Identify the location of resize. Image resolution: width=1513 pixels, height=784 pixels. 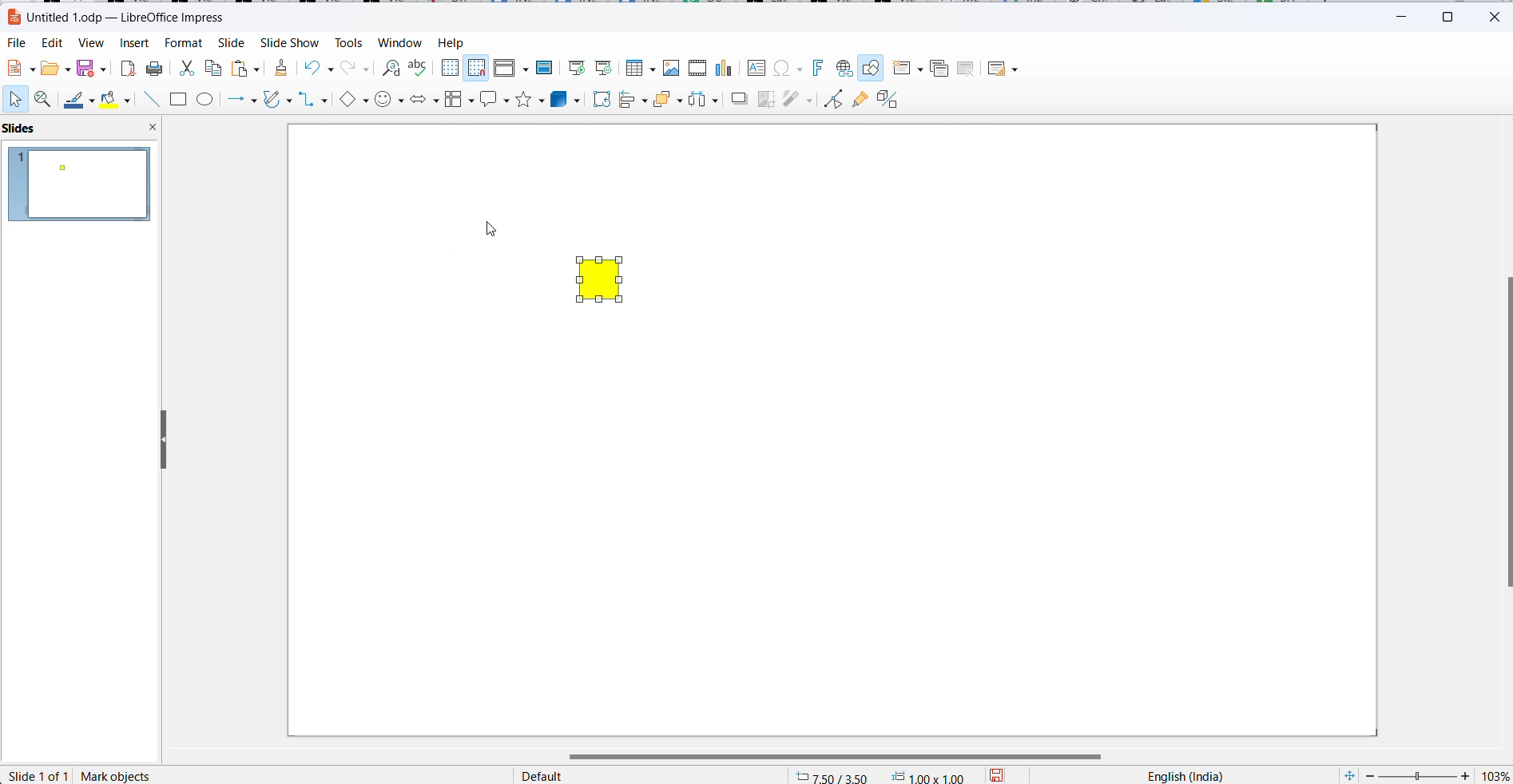
(157, 438).